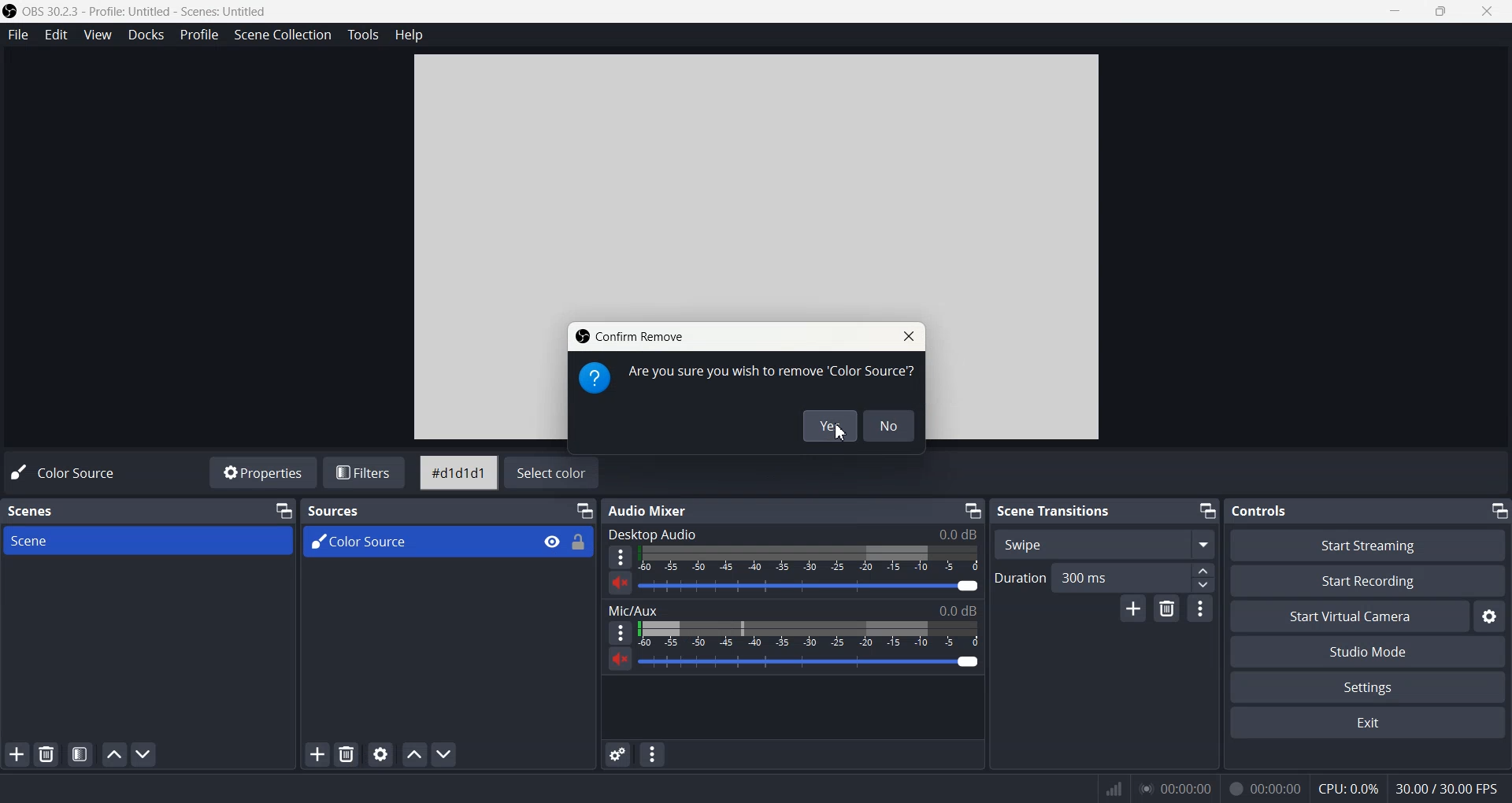 This screenshot has width=1512, height=803. I want to click on Confirm Remove, so click(629, 335).